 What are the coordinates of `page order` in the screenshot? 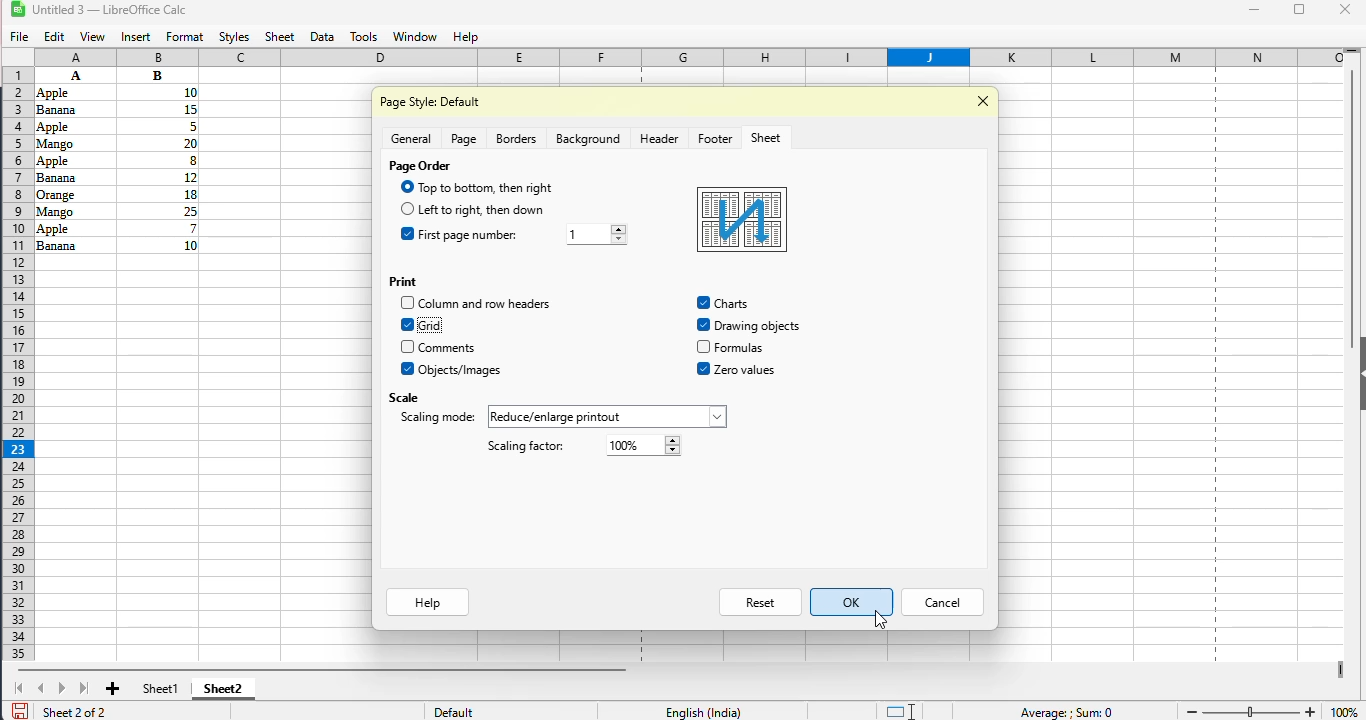 It's located at (420, 166).